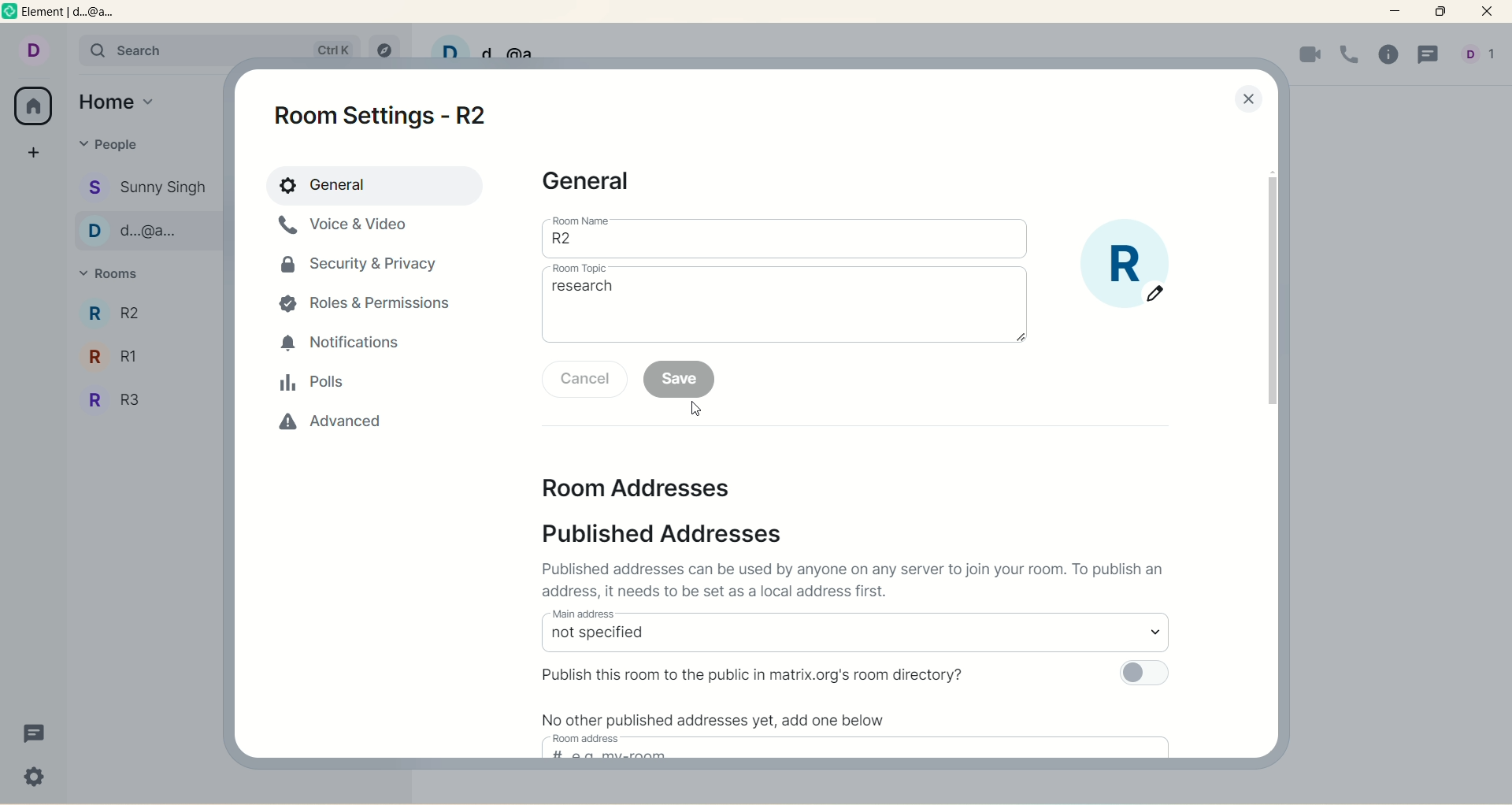  Describe the element at coordinates (1392, 56) in the screenshot. I see `room info` at that location.